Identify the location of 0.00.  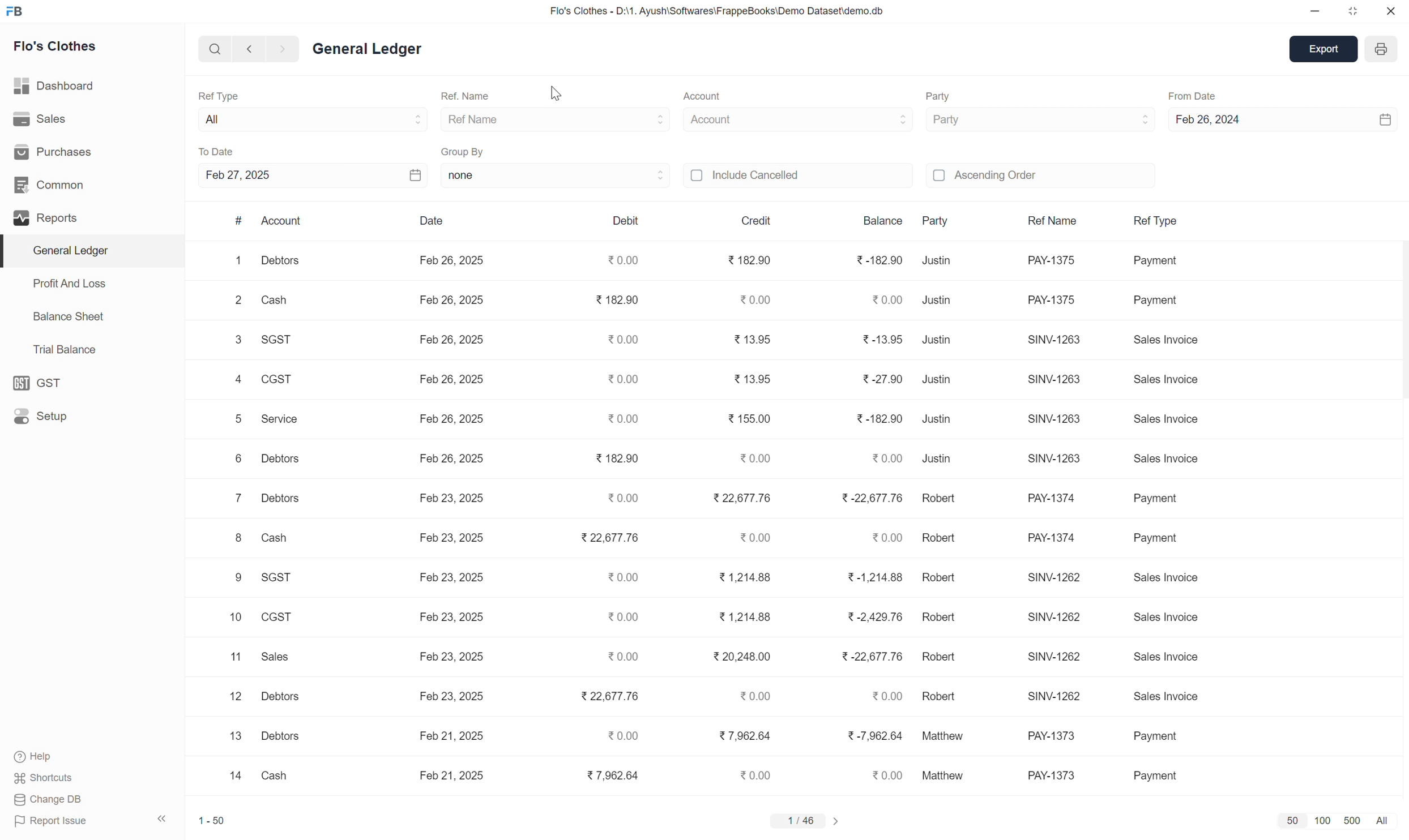
(890, 457).